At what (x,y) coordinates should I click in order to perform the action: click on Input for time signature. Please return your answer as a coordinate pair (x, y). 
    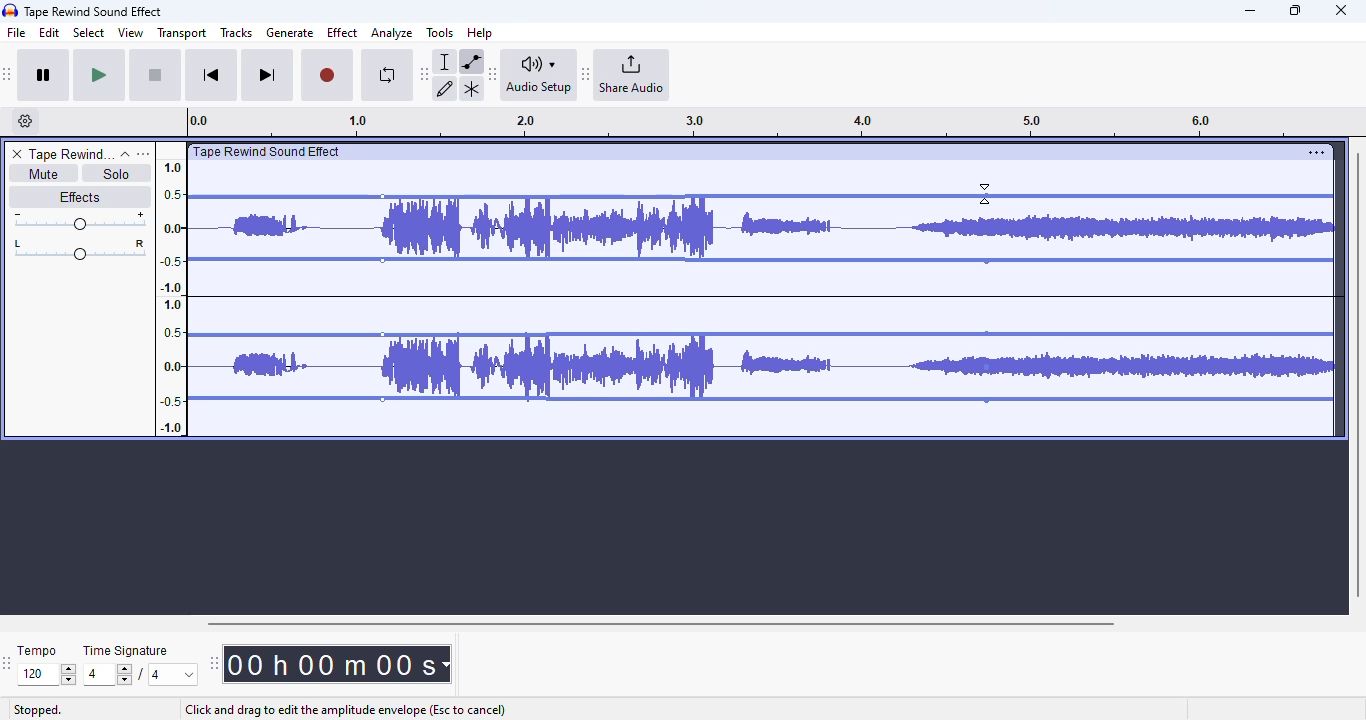
    Looking at the image, I should click on (108, 675).